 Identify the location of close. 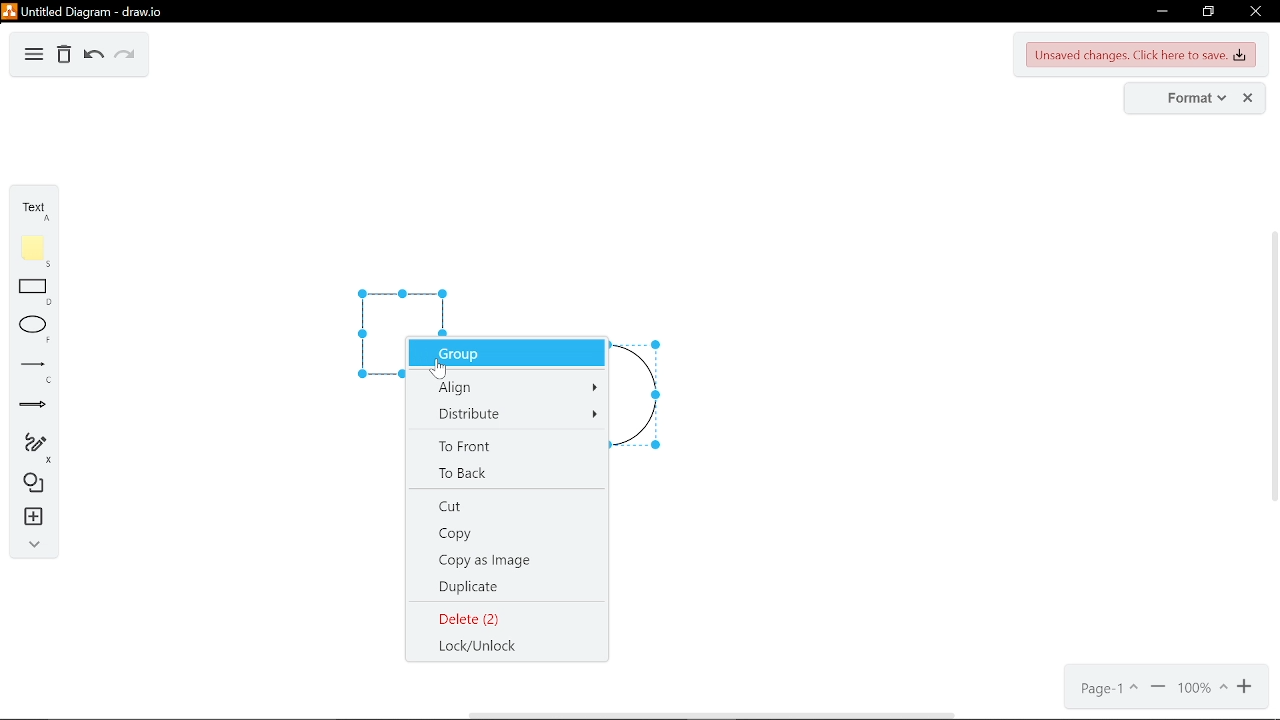
(1248, 98).